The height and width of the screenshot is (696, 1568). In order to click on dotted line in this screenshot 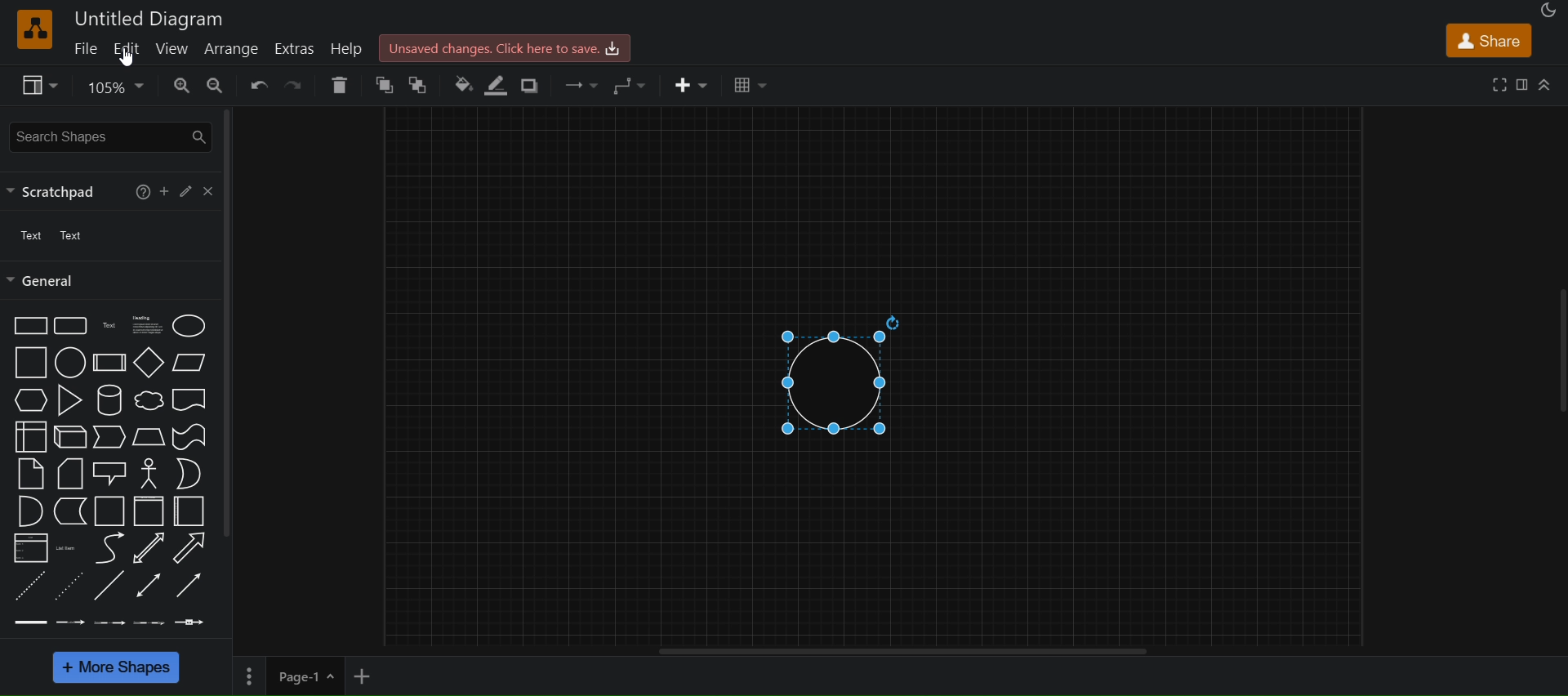, I will do `click(71, 587)`.